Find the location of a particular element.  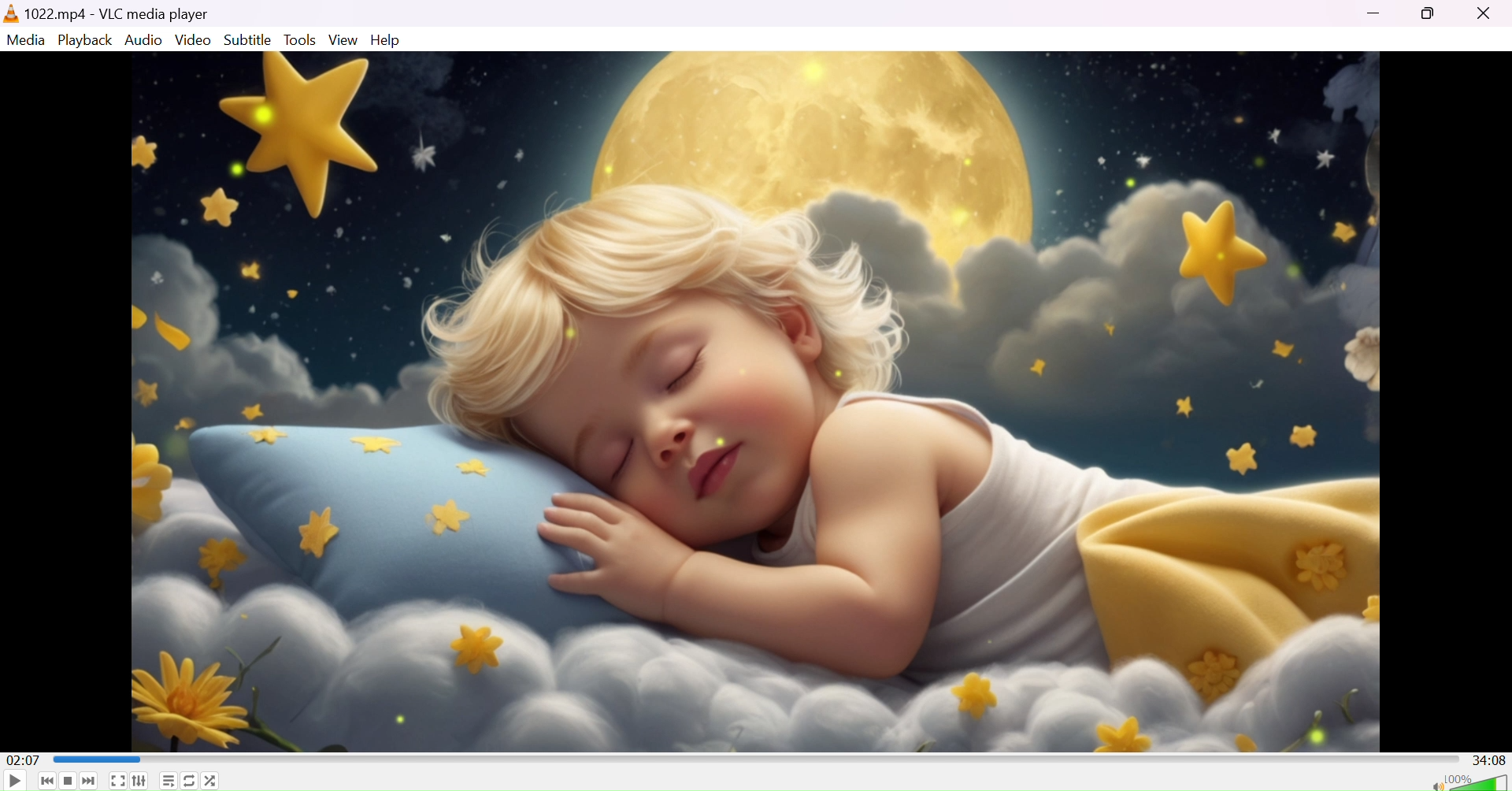

Audio is located at coordinates (145, 40).